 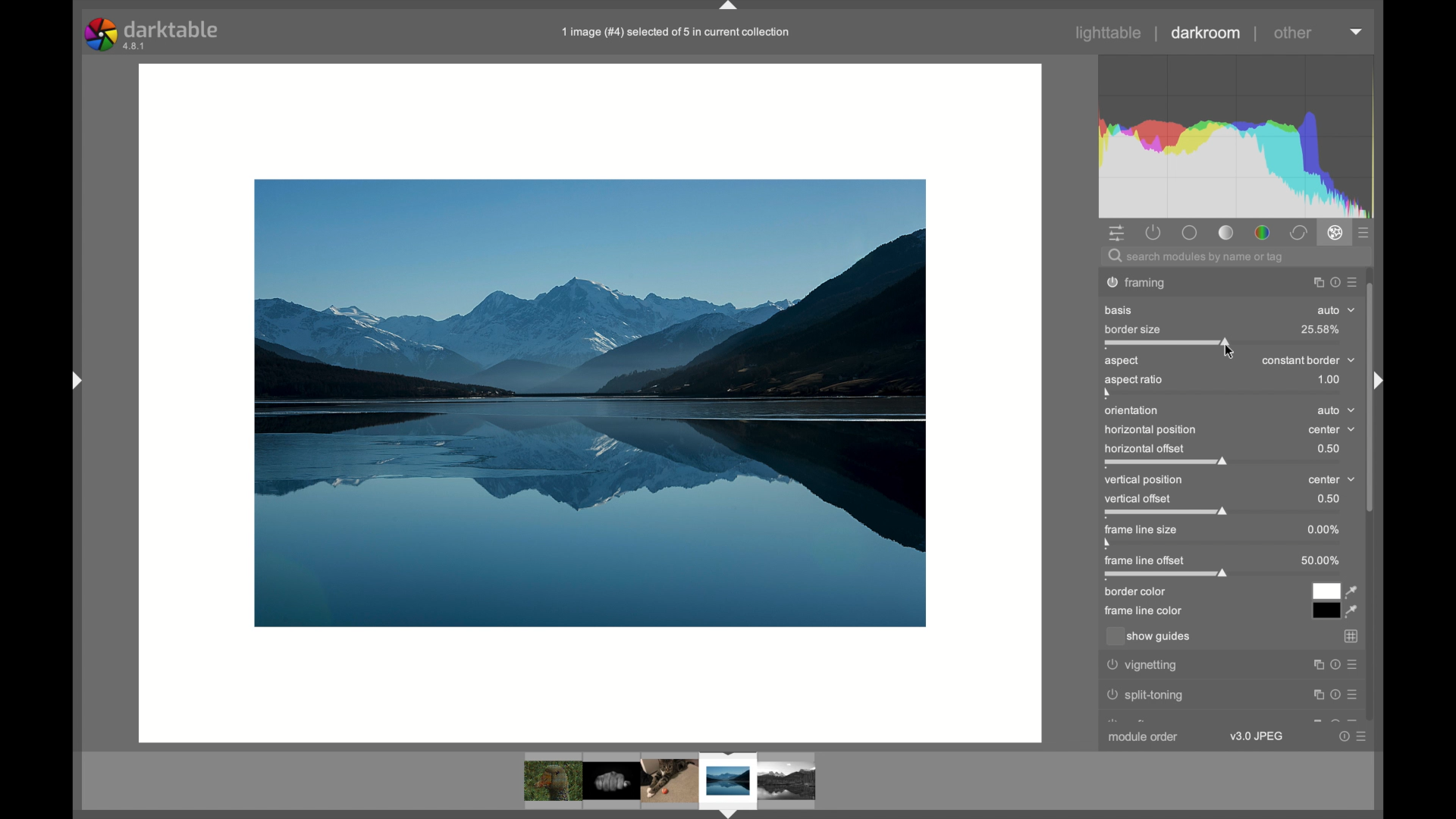 What do you see at coordinates (1145, 481) in the screenshot?
I see `vertical position` at bounding box center [1145, 481].